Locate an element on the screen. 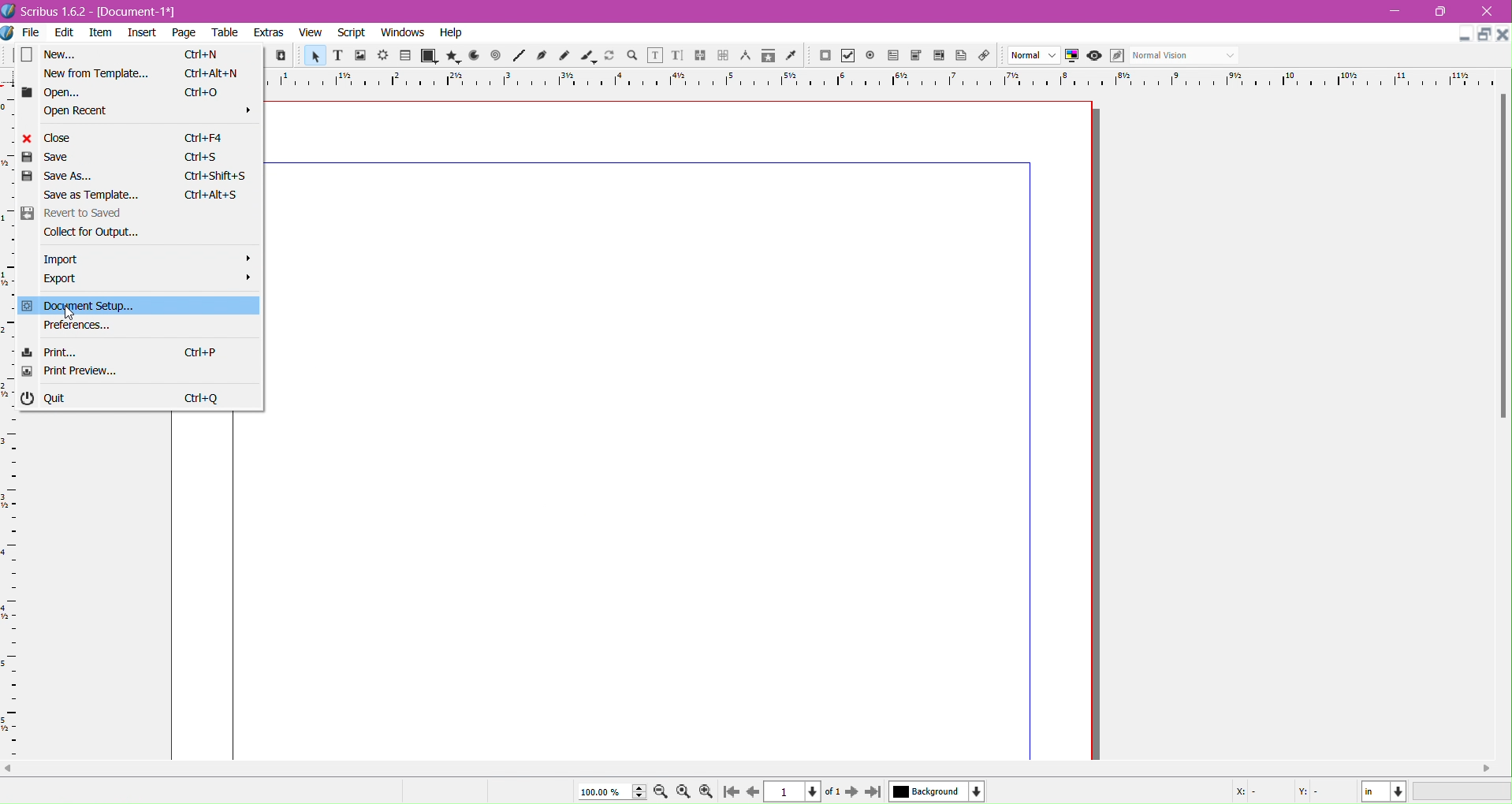  keyboard shortcut is located at coordinates (205, 92).